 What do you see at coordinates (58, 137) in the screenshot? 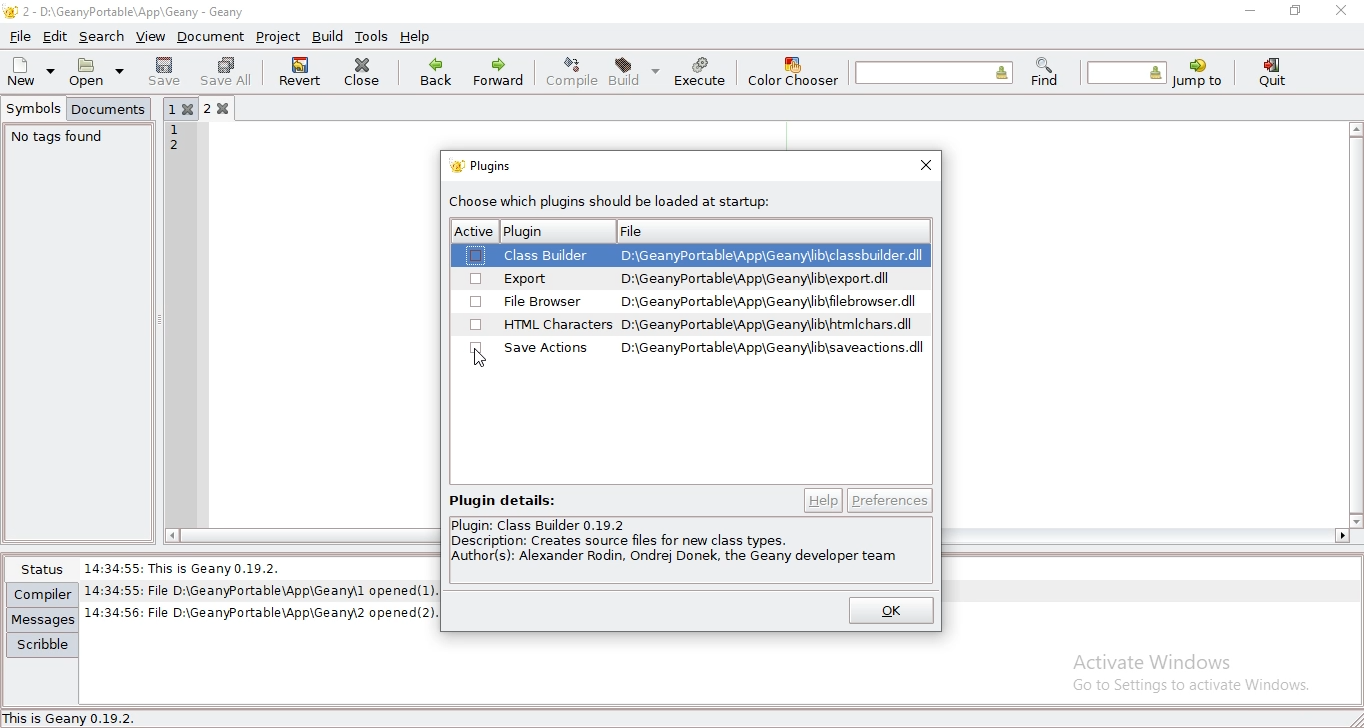
I see `no tags found` at bounding box center [58, 137].